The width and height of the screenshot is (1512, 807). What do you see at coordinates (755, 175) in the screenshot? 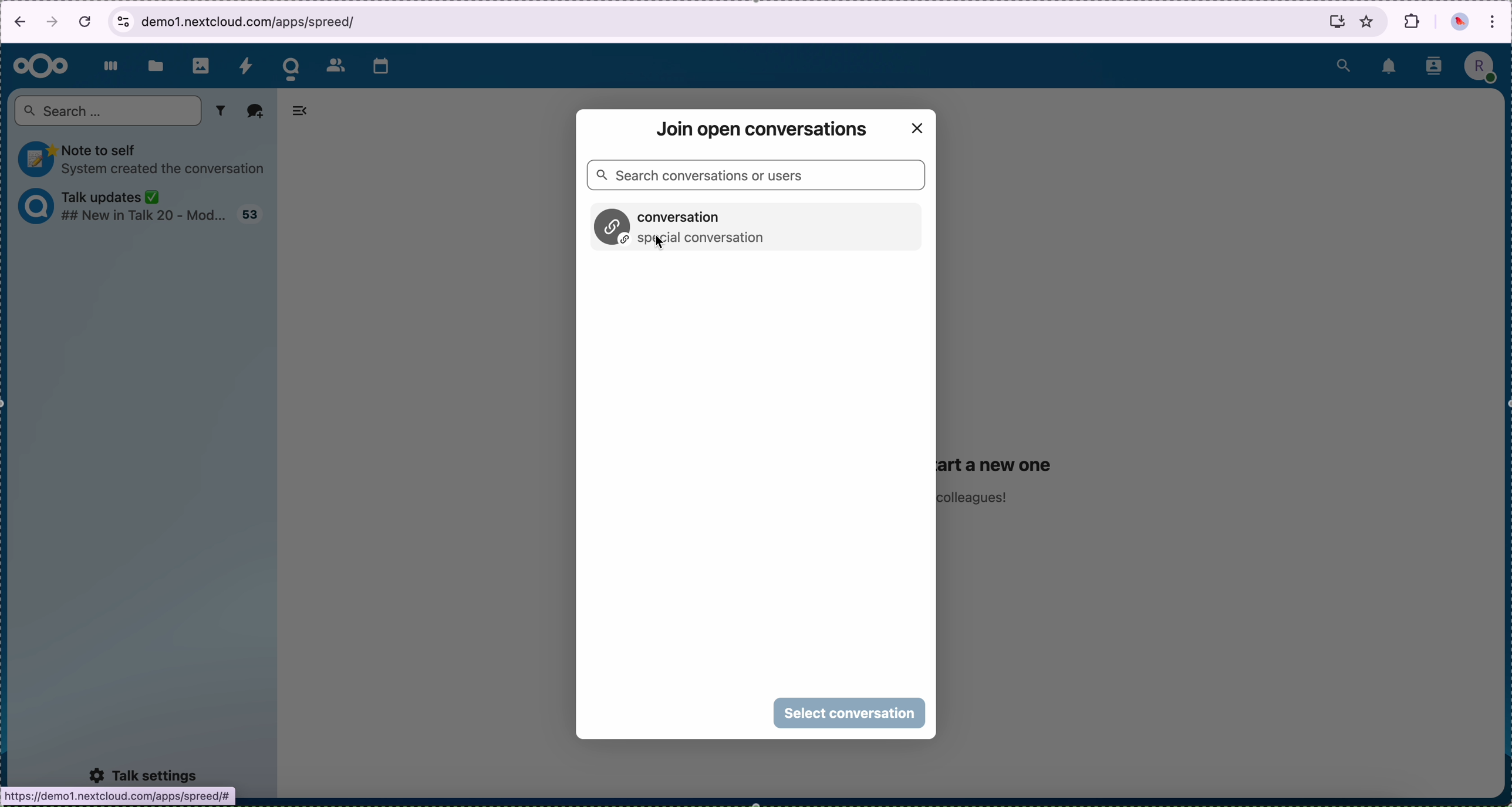
I see `search bar` at bounding box center [755, 175].